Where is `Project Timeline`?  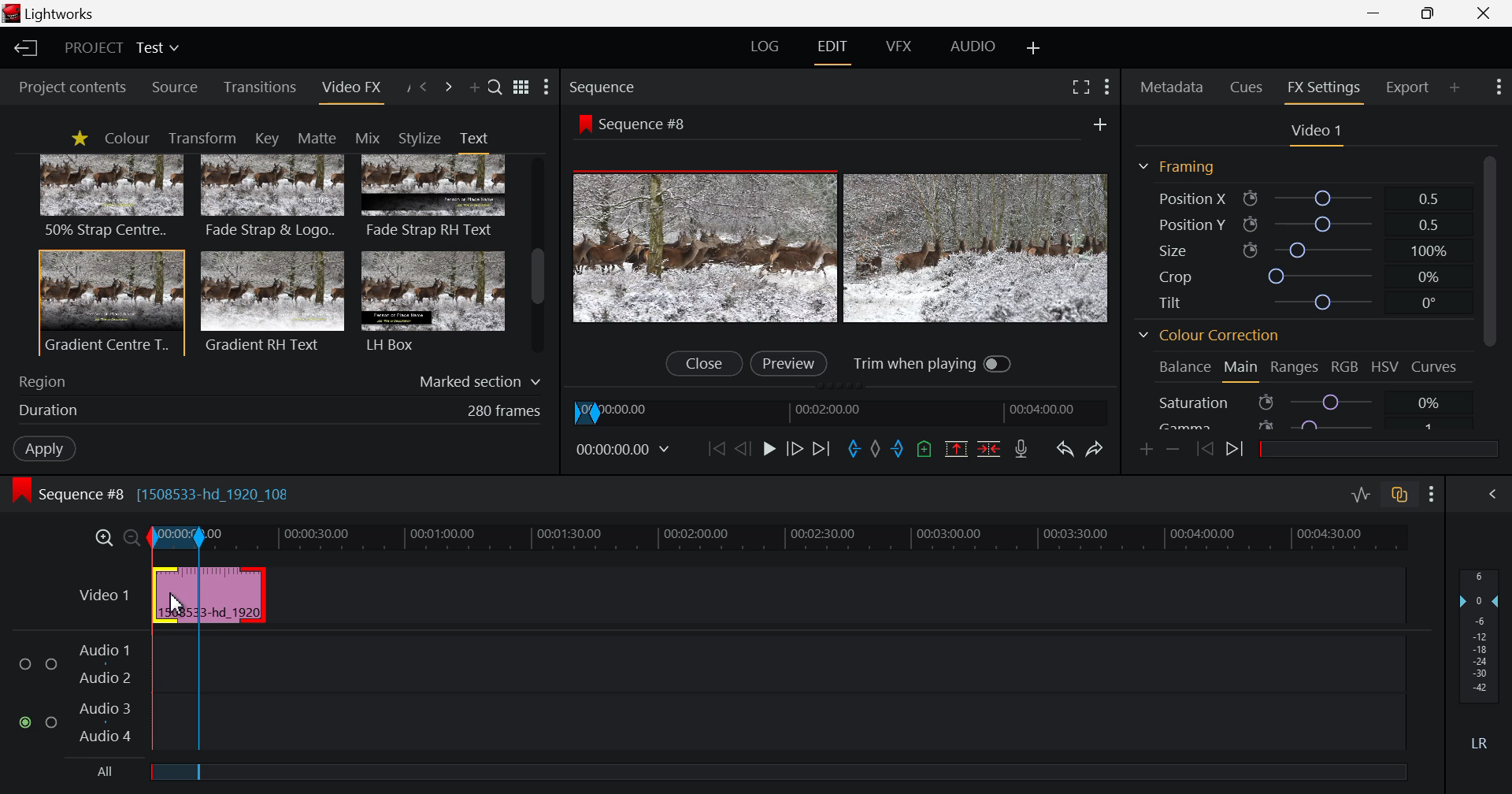 Project Timeline is located at coordinates (775, 538).